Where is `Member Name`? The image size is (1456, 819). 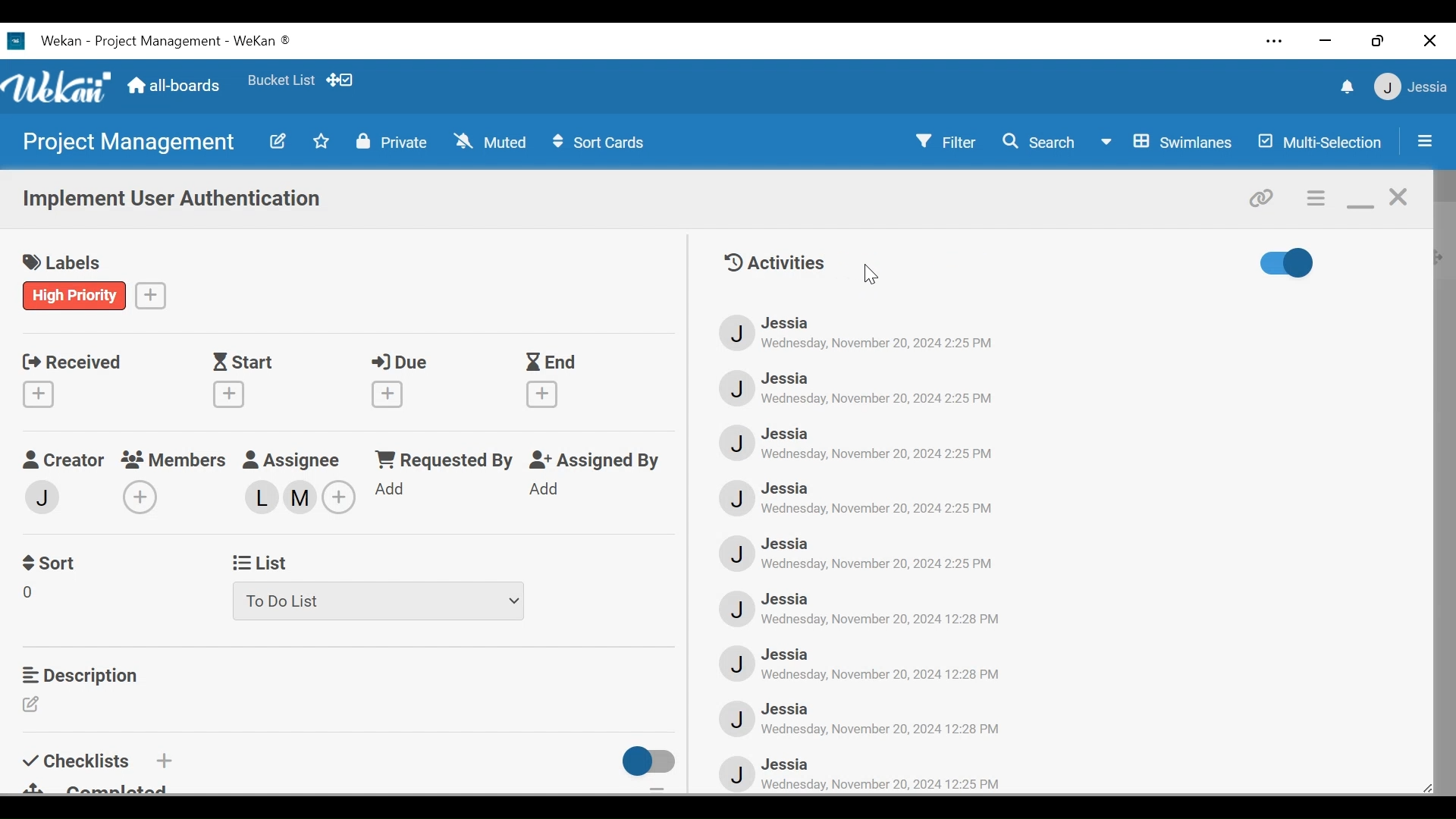
Member Name is located at coordinates (786, 656).